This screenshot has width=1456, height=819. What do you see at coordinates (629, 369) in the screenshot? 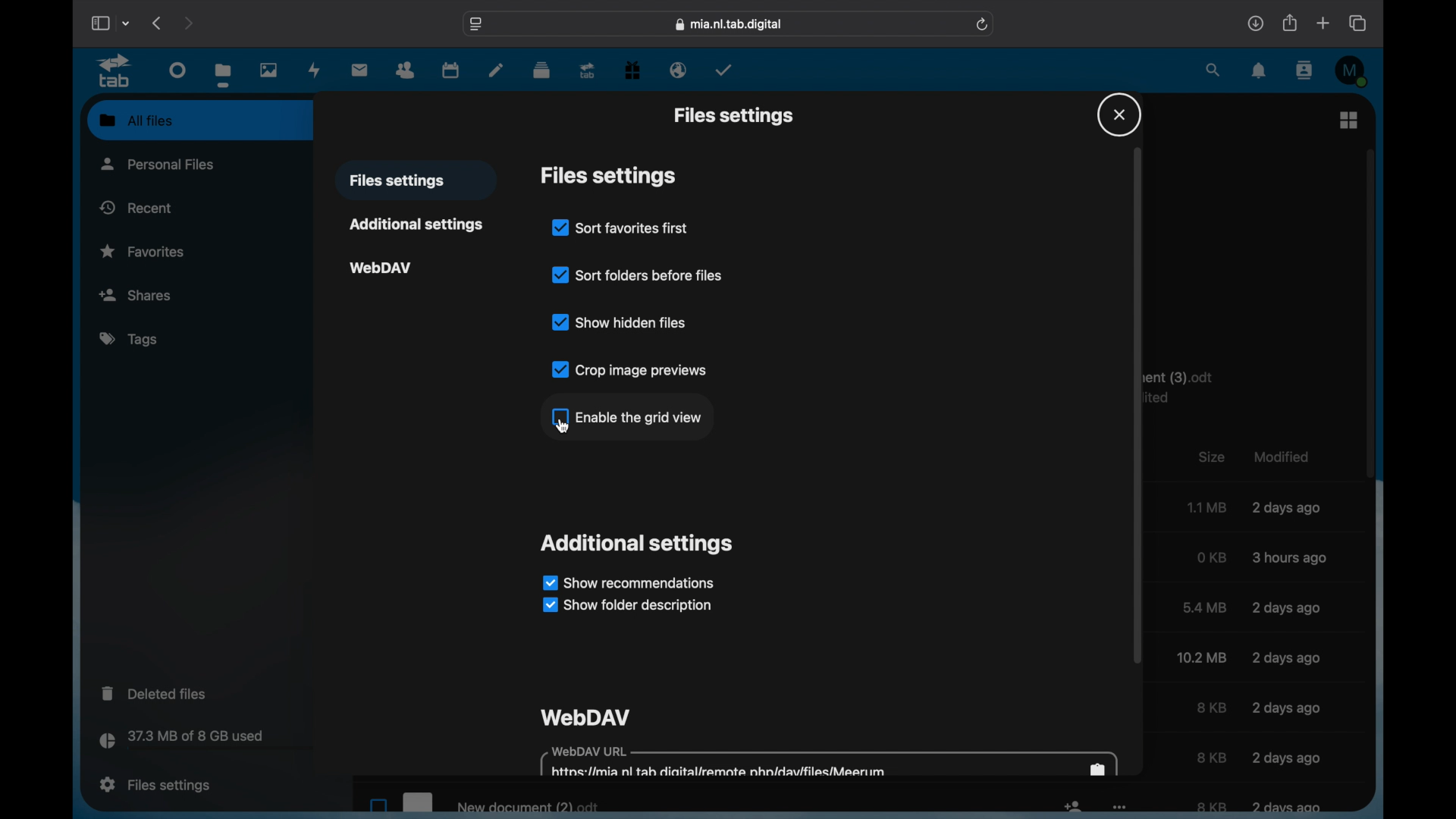
I see `crop image previews` at bounding box center [629, 369].